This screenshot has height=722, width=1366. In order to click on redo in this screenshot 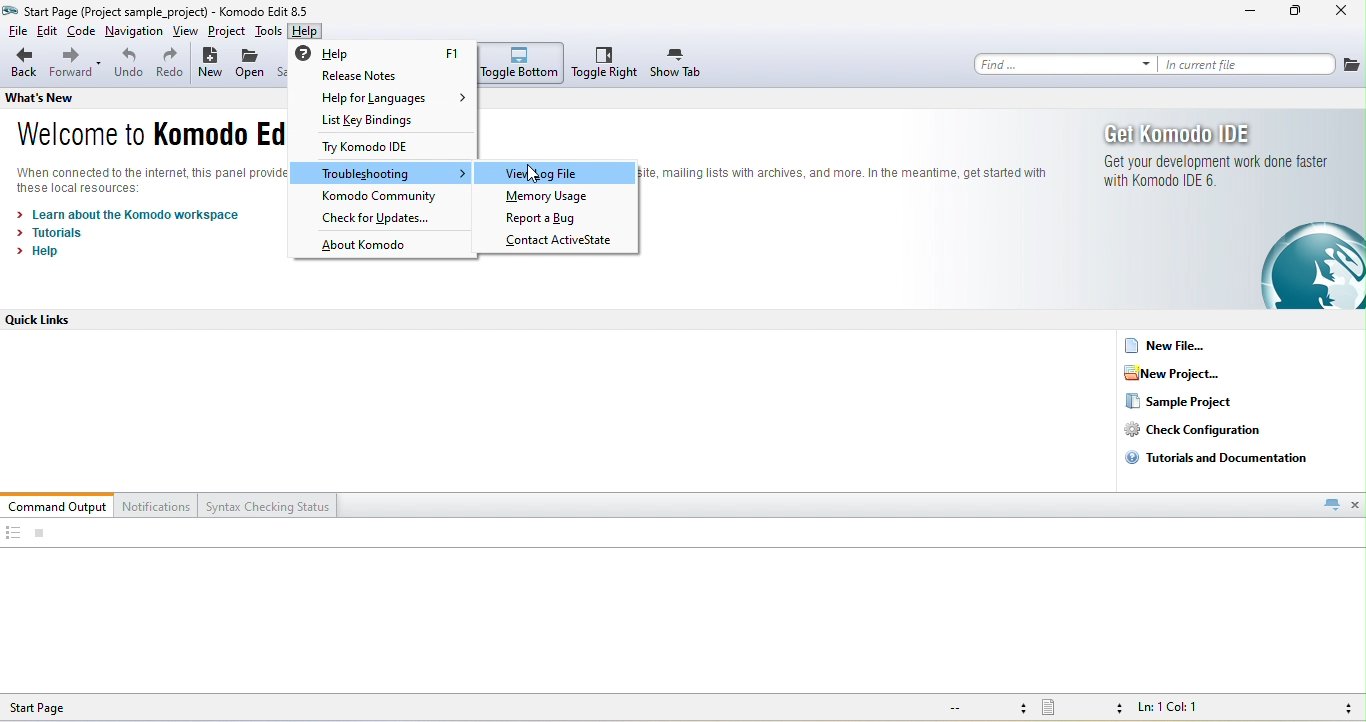, I will do `click(170, 65)`.